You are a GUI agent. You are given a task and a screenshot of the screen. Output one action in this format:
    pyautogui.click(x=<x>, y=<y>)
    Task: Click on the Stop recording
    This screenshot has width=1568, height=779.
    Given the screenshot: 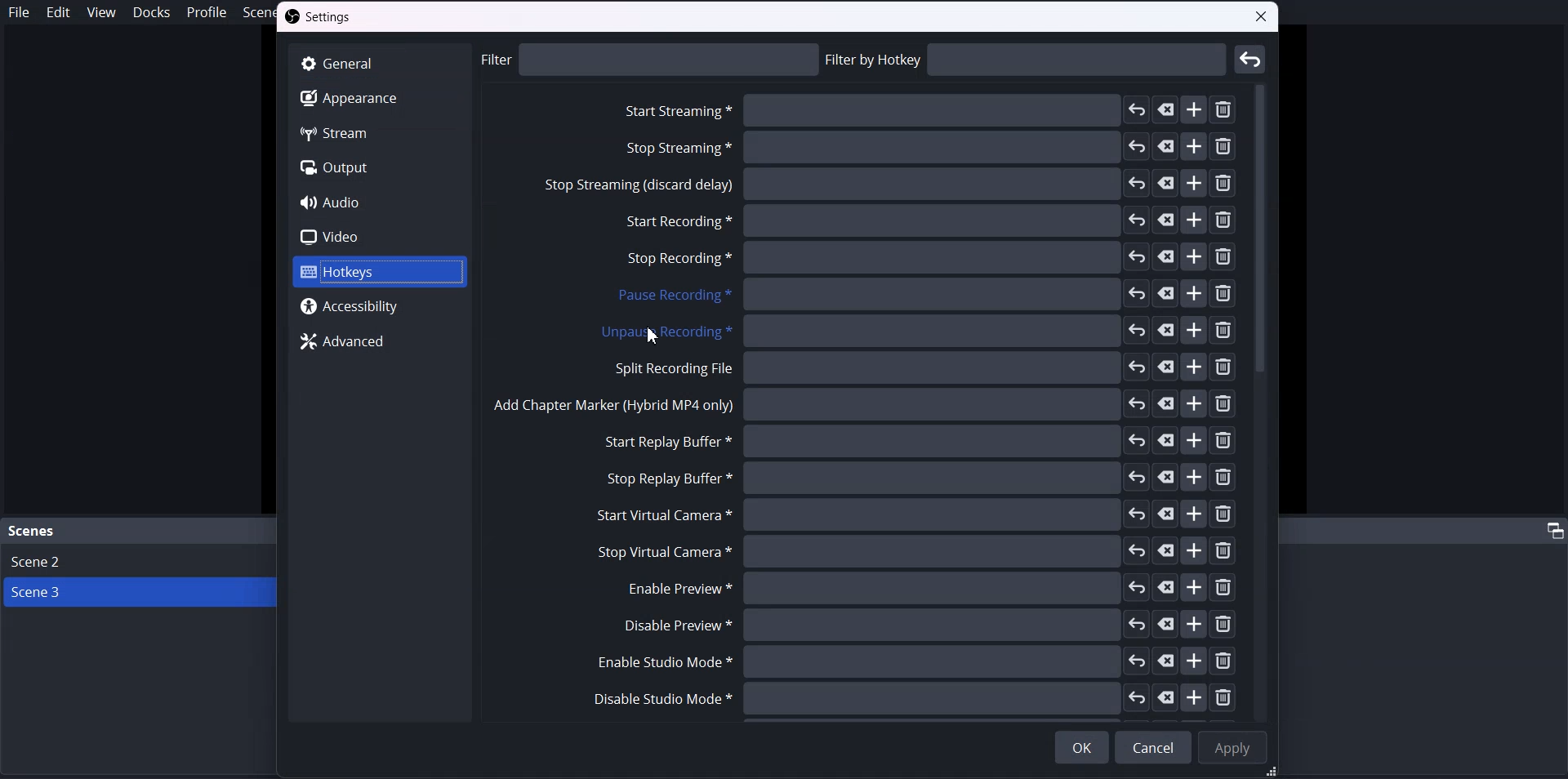 What is the action you would take?
    pyautogui.click(x=931, y=258)
    